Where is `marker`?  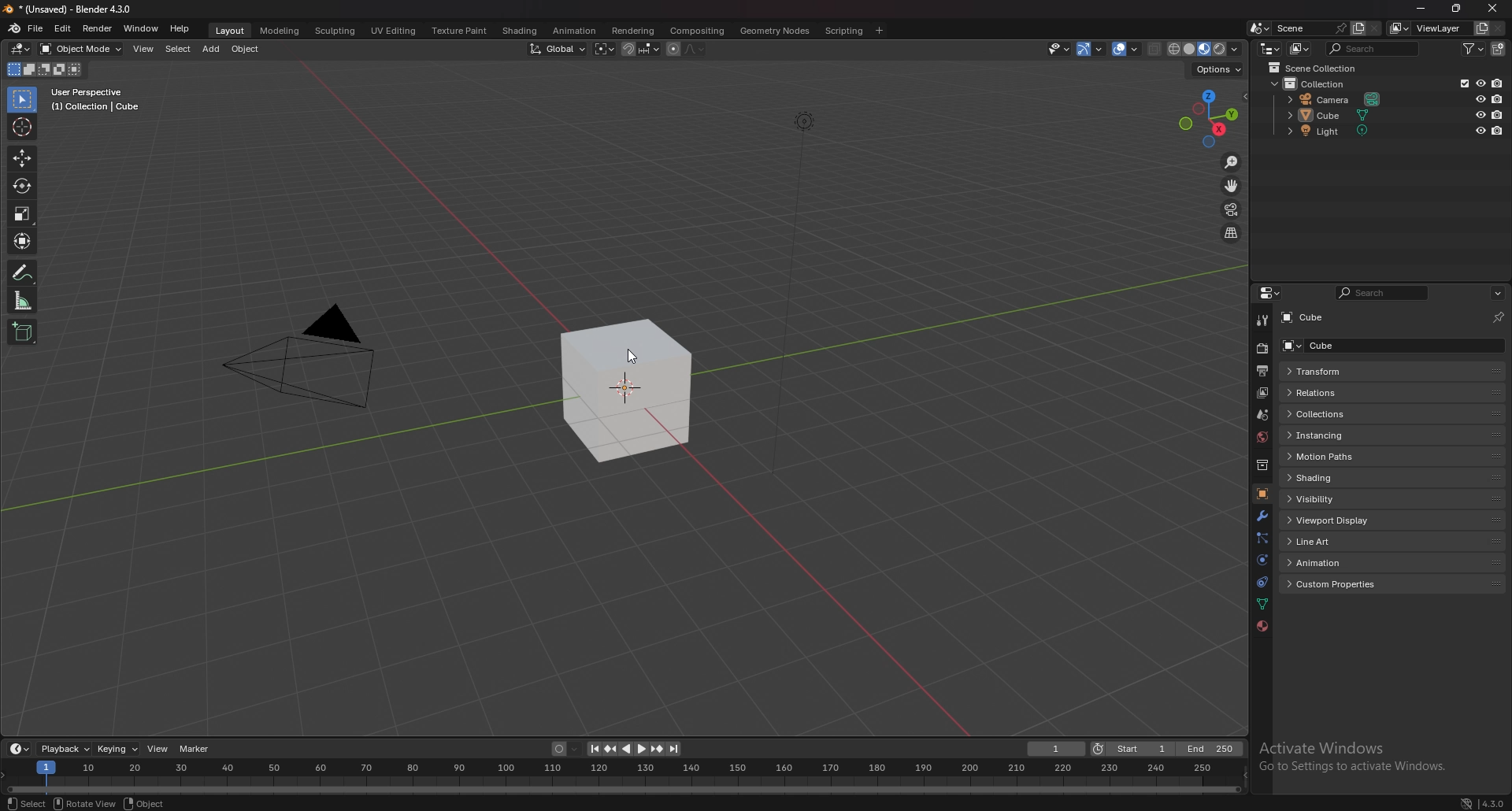 marker is located at coordinates (198, 750).